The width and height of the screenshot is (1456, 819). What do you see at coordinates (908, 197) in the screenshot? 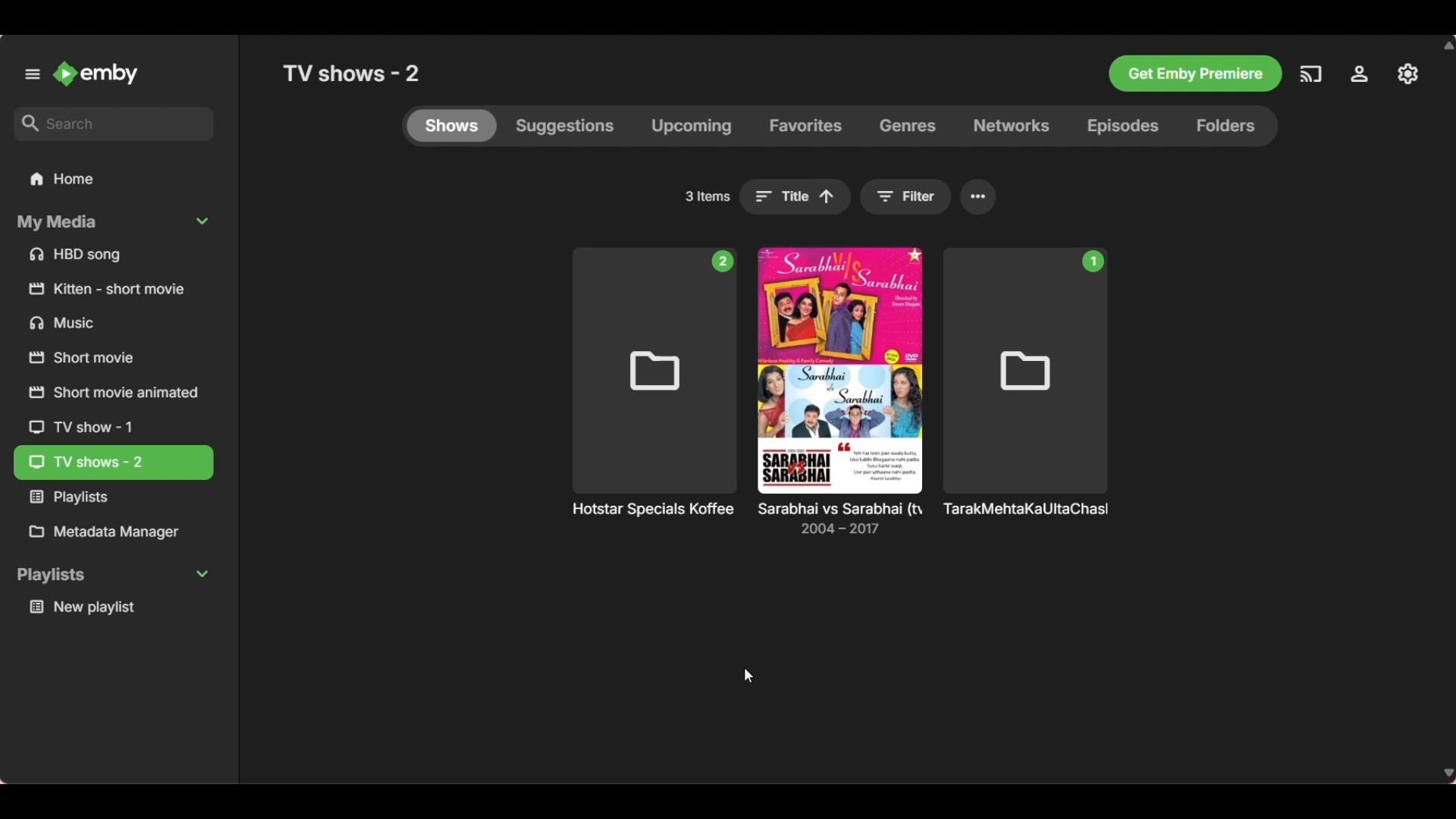
I see `Filter` at bounding box center [908, 197].